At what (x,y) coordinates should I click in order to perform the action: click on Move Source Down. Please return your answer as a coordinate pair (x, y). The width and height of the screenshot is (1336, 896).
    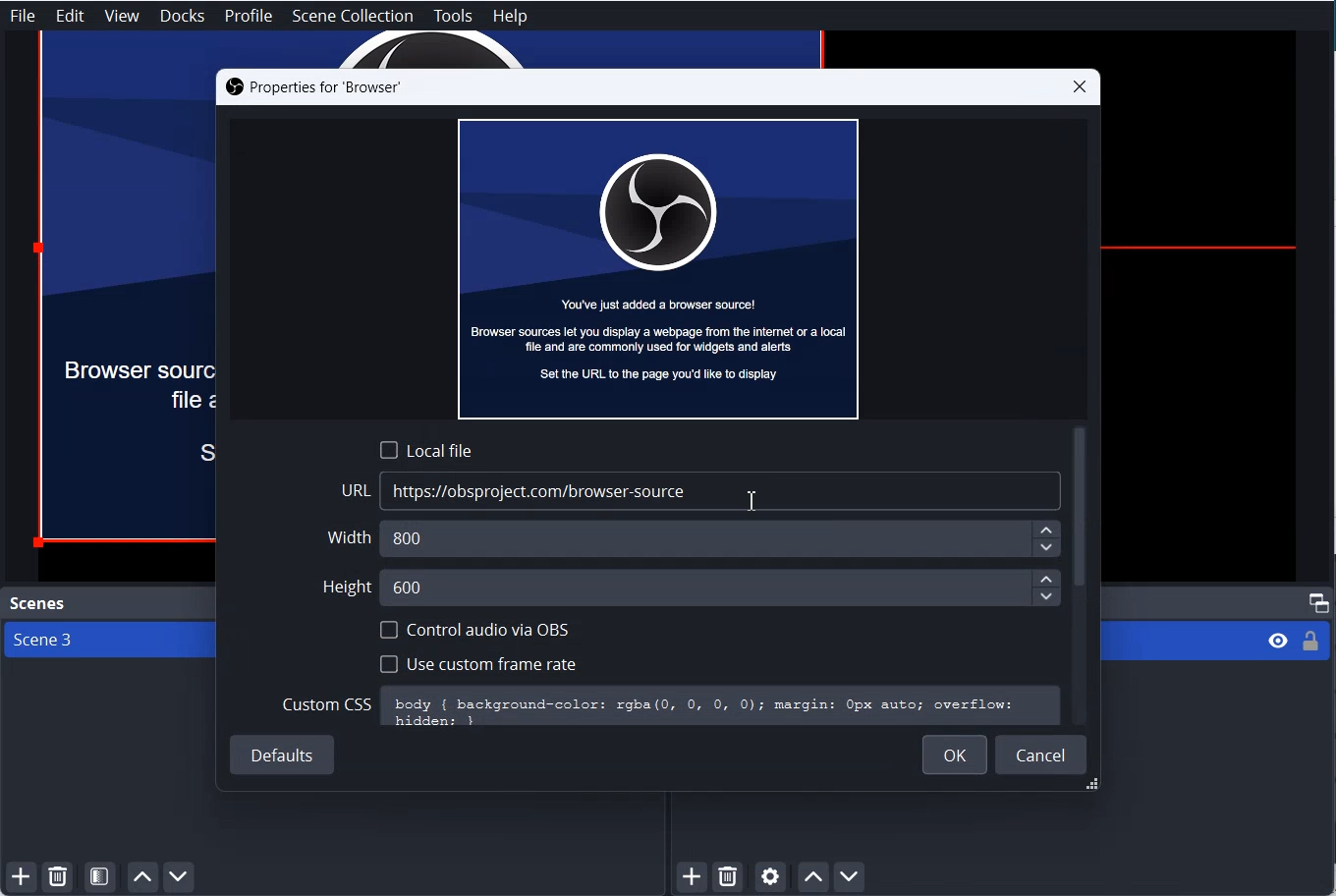
    Looking at the image, I should click on (850, 875).